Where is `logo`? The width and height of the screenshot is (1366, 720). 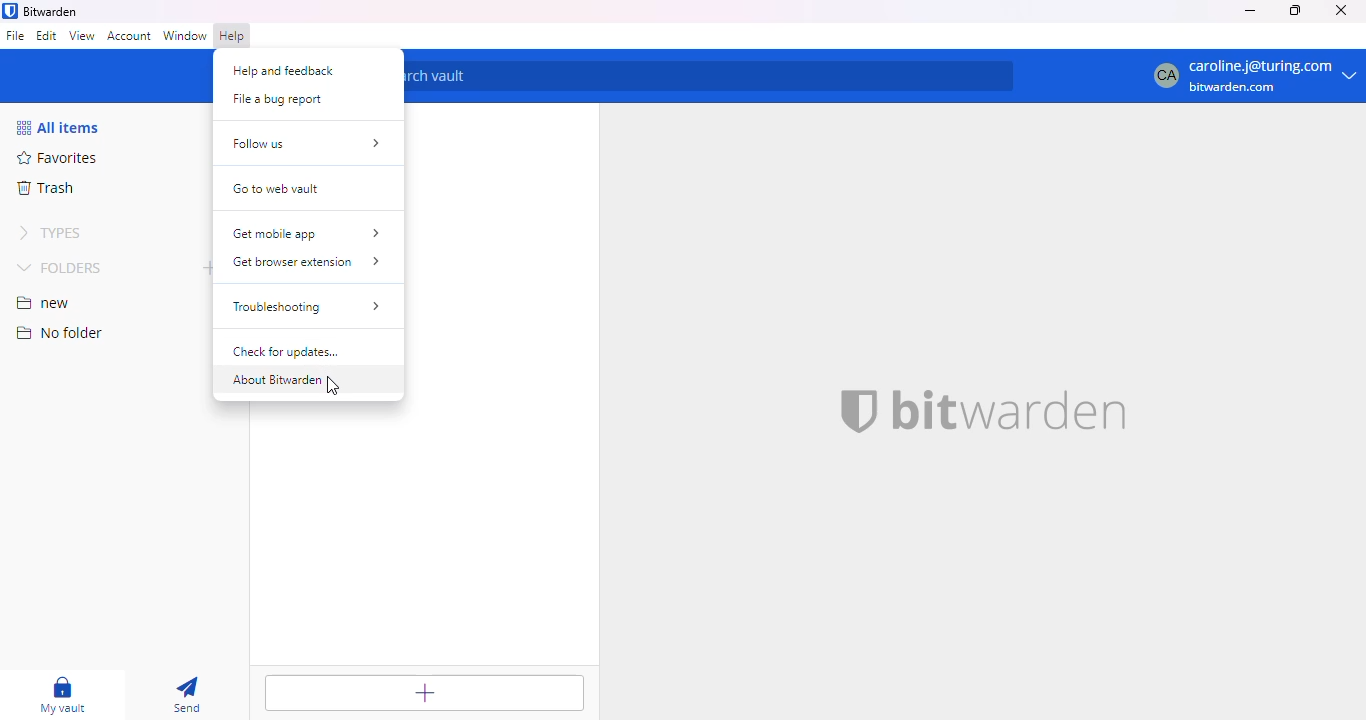
logo is located at coordinates (10, 11).